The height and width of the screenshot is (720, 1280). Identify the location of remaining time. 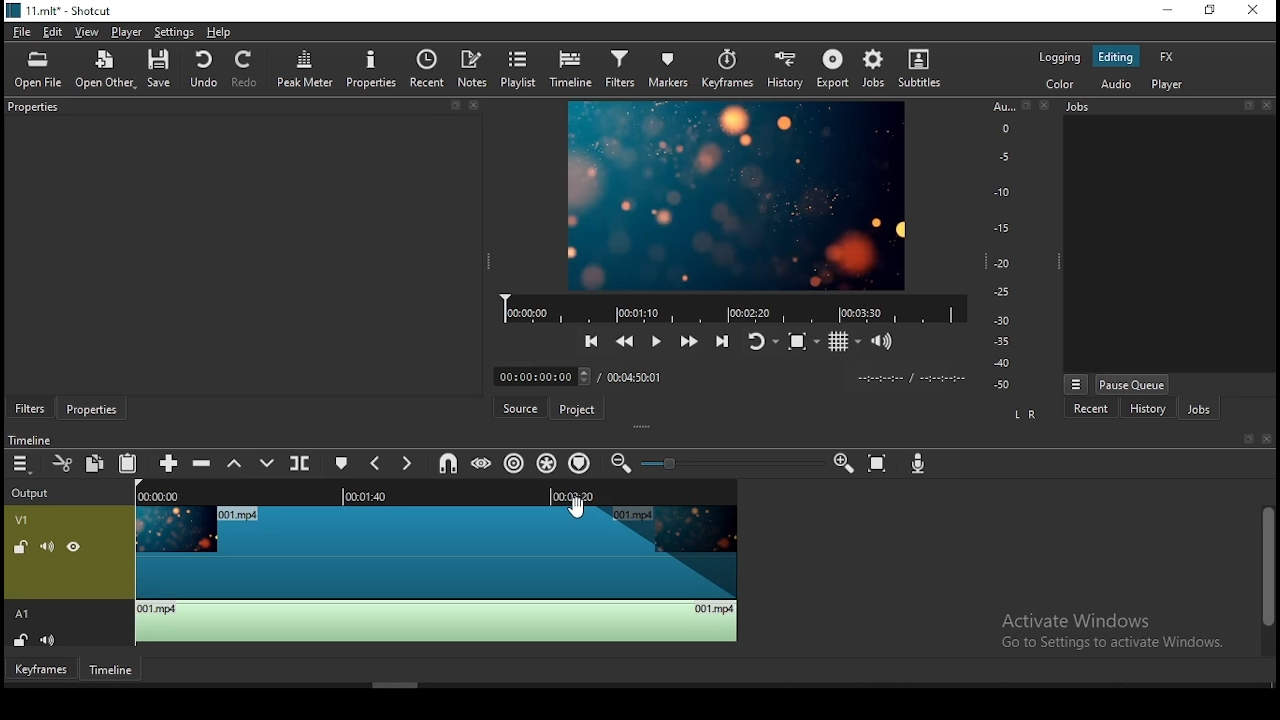
(573, 495).